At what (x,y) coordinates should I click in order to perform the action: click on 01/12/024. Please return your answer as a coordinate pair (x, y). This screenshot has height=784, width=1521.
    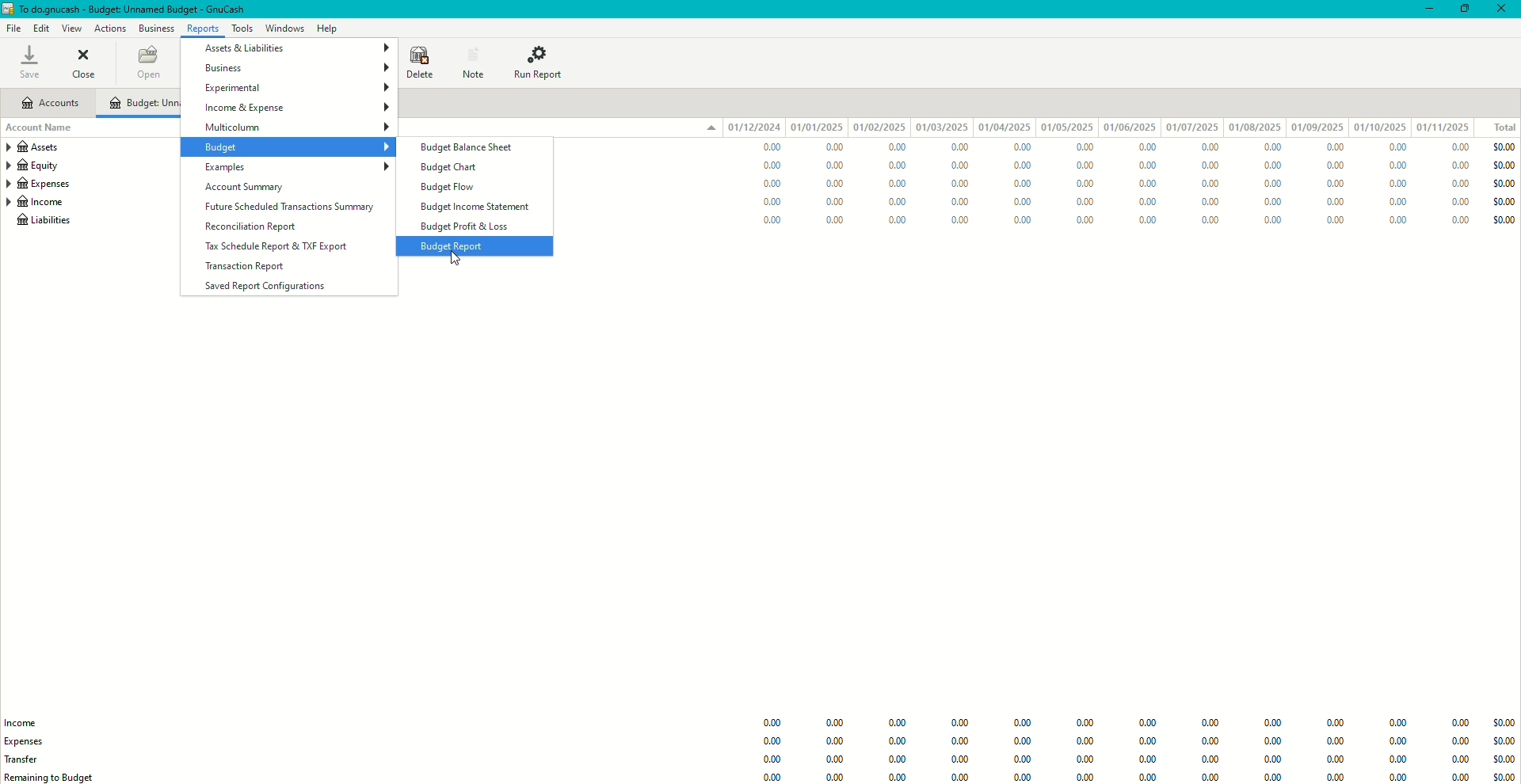
    Looking at the image, I should click on (755, 127).